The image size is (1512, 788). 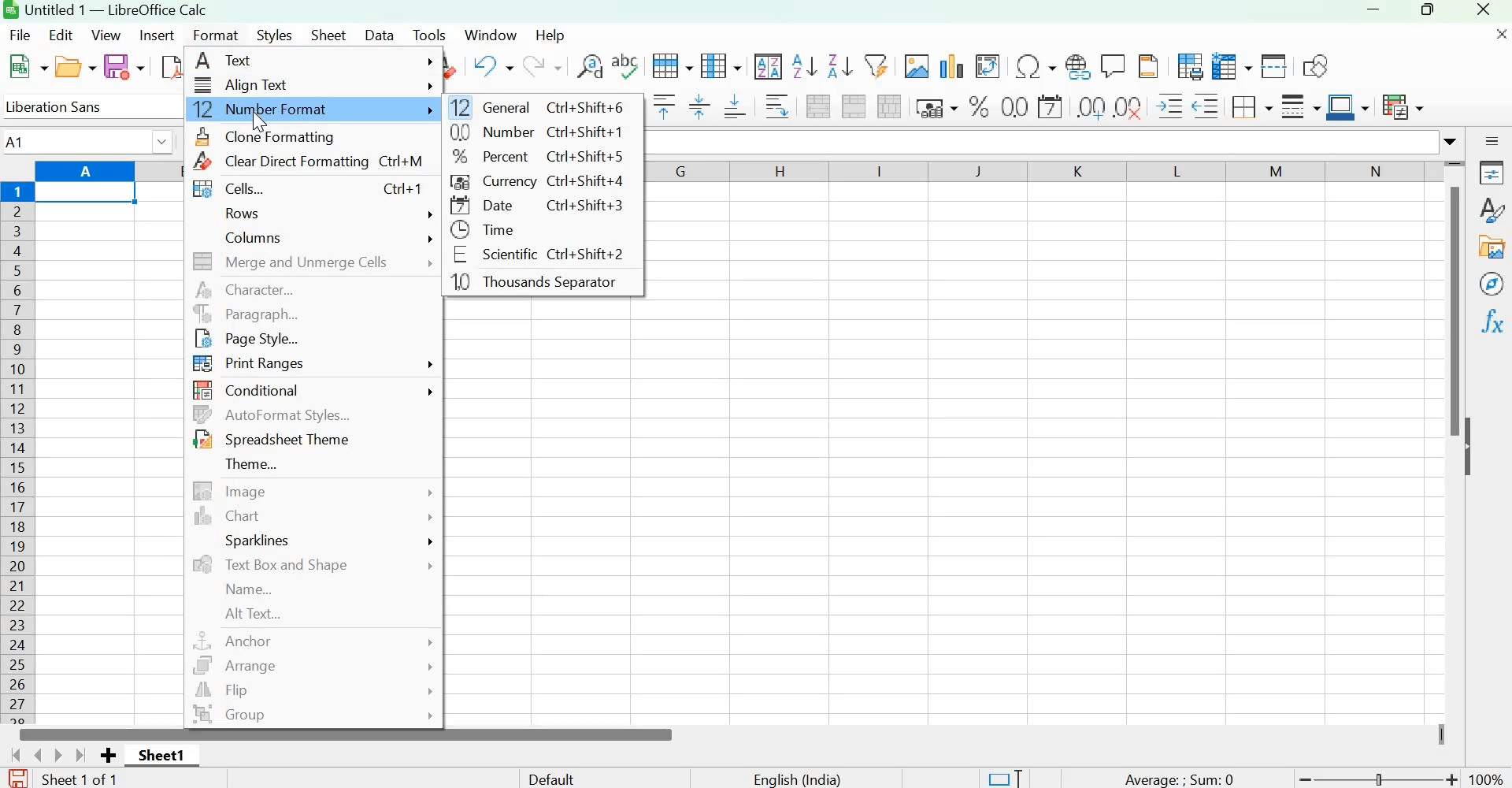 I want to click on Window, so click(x=490, y=33).